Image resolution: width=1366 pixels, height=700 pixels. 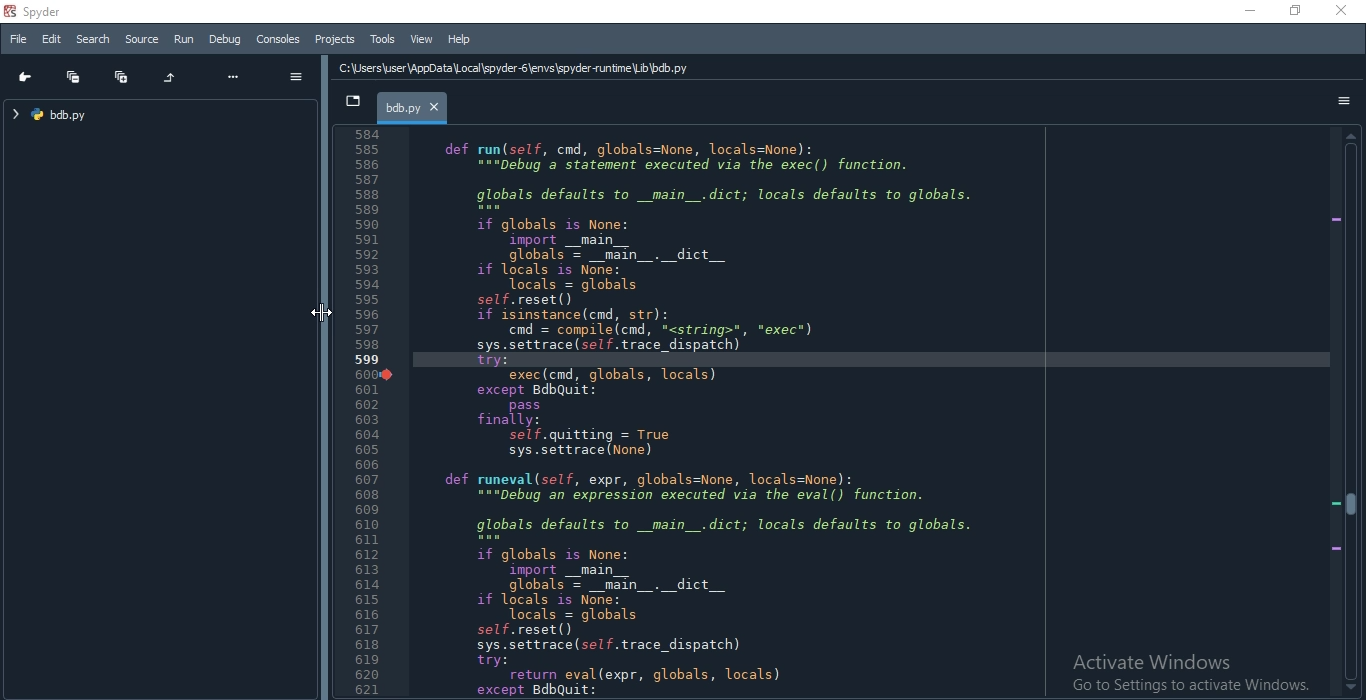 I want to click on Line Number, so click(x=369, y=413).